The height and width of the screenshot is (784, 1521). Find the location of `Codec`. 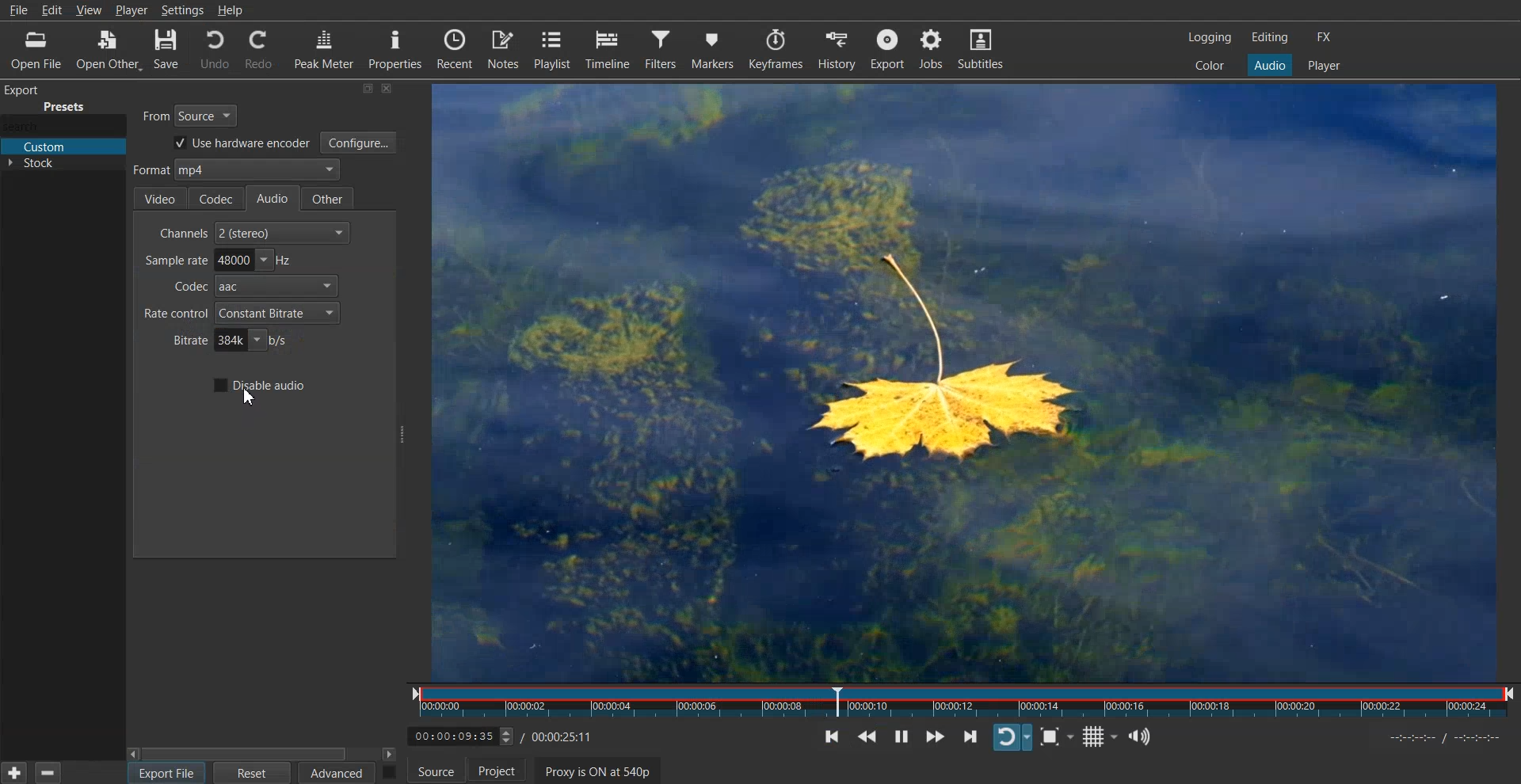

Codec is located at coordinates (217, 197).